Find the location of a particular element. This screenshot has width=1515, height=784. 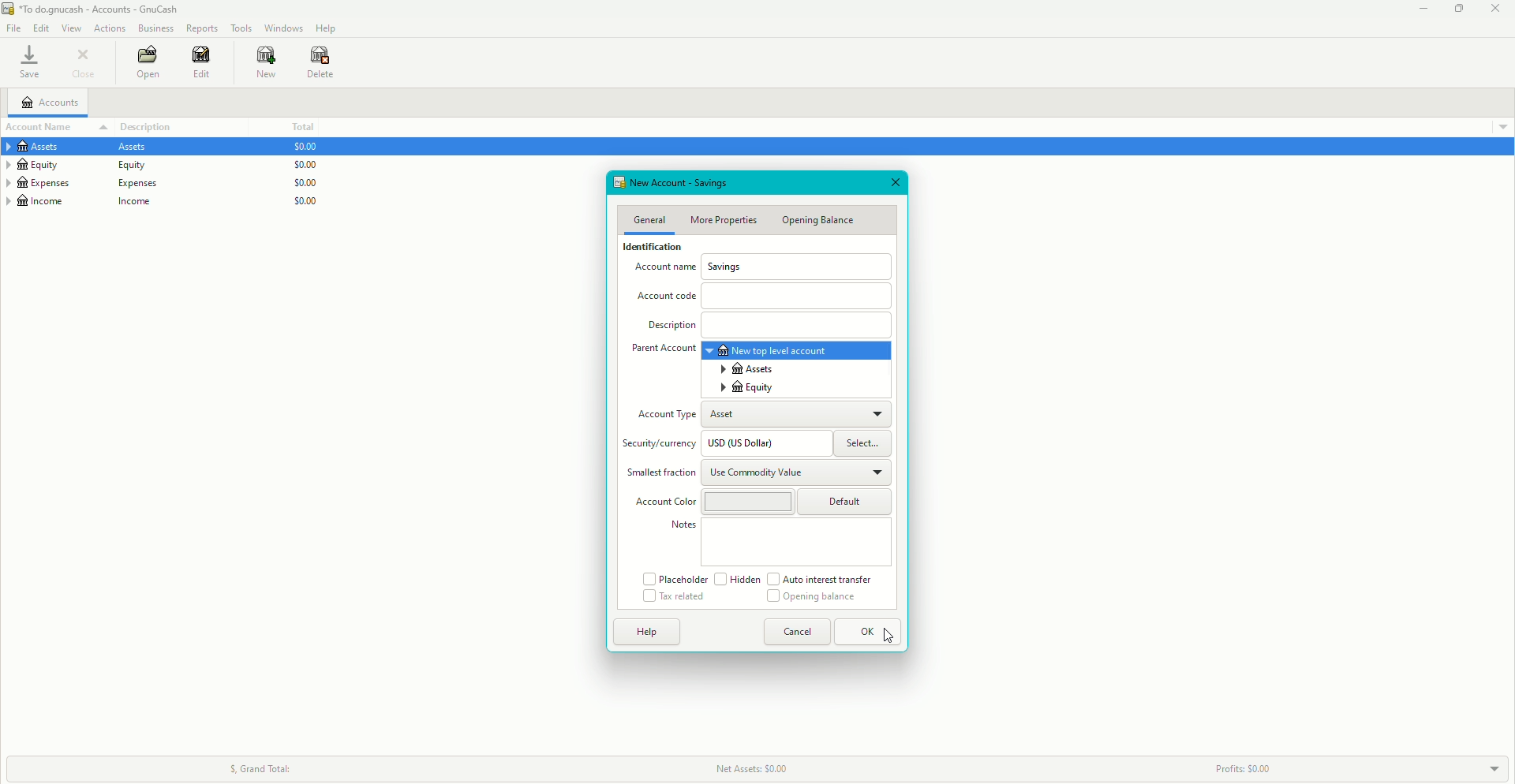

Close is located at coordinates (87, 64).